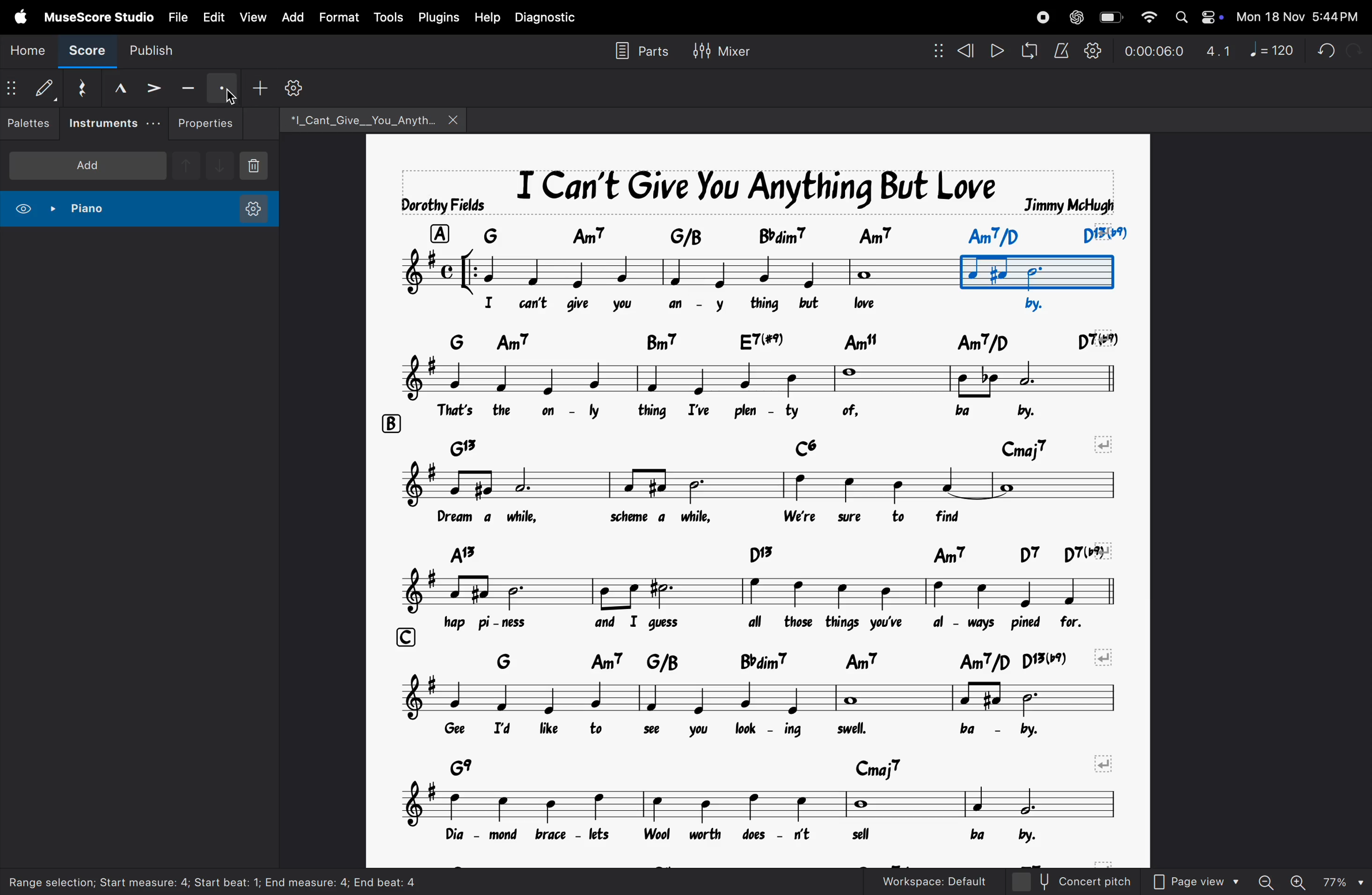  What do you see at coordinates (773, 304) in the screenshot?
I see `lyrics` at bounding box center [773, 304].